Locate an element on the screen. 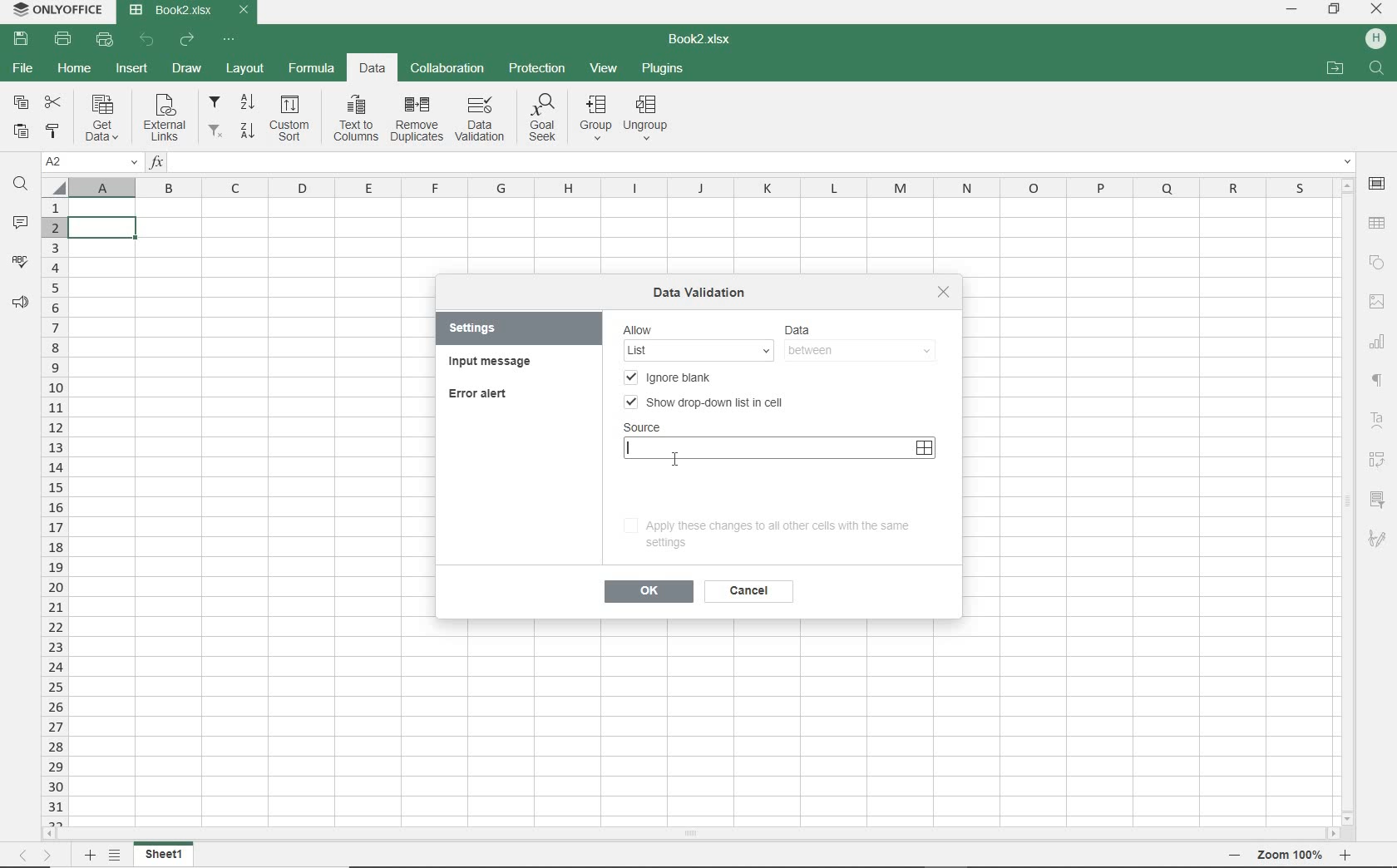 The width and height of the screenshot is (1397, 868). REDO is located at coordinates (187, 41).